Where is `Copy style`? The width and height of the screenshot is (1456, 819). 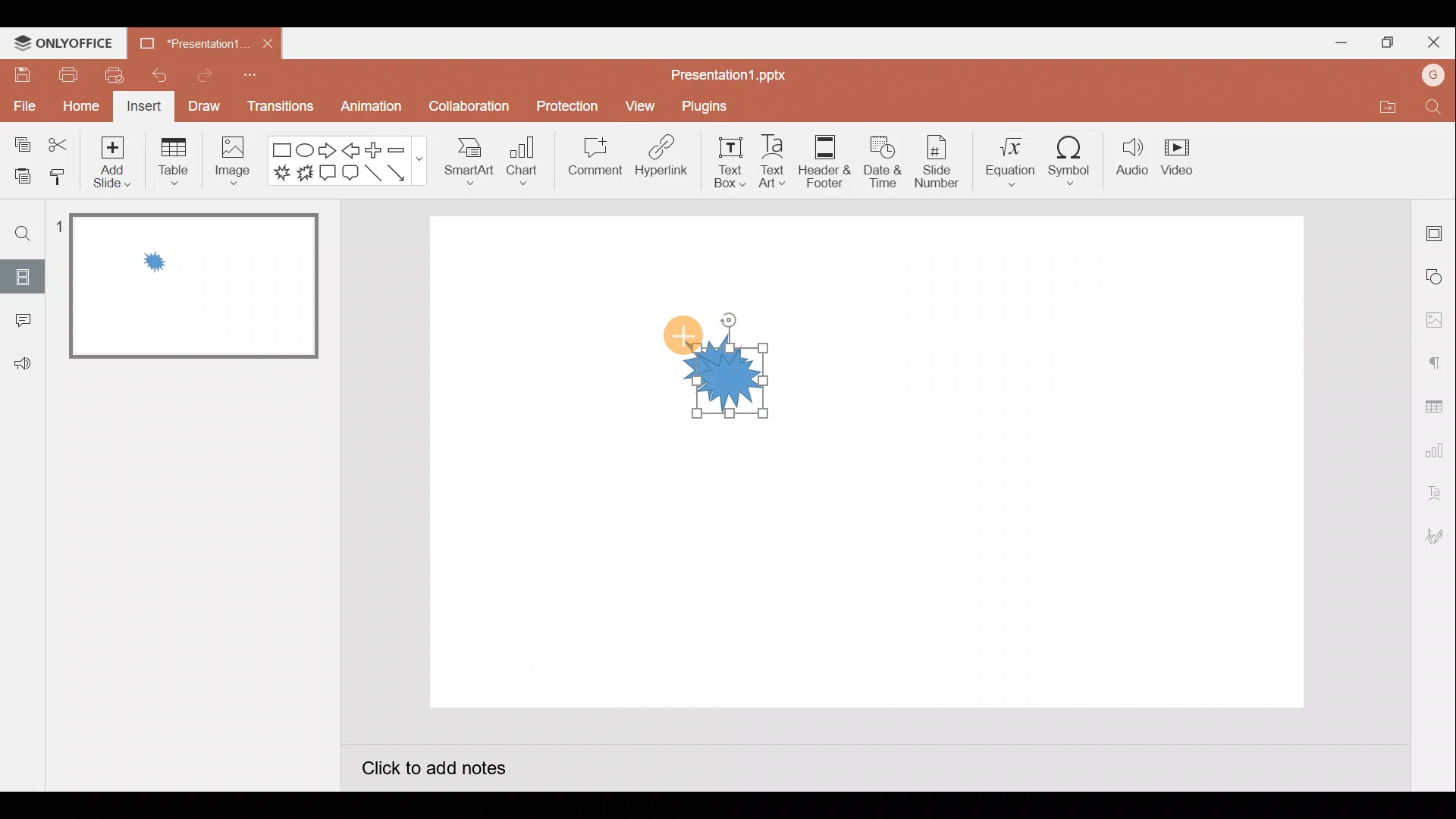 Copy style is located at coordinates (64, 180).